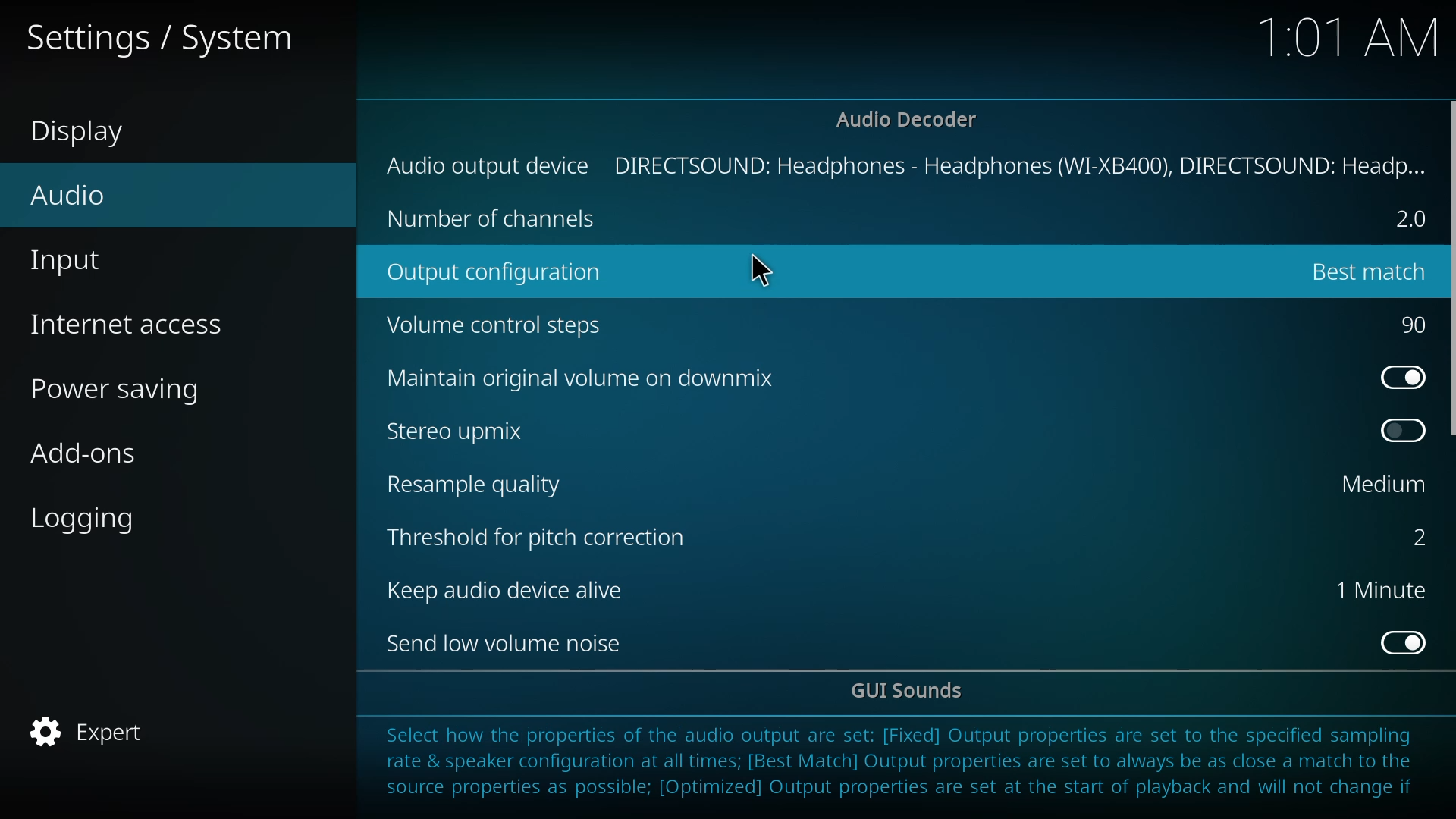  I want to click on threshold, so click(538, 537).